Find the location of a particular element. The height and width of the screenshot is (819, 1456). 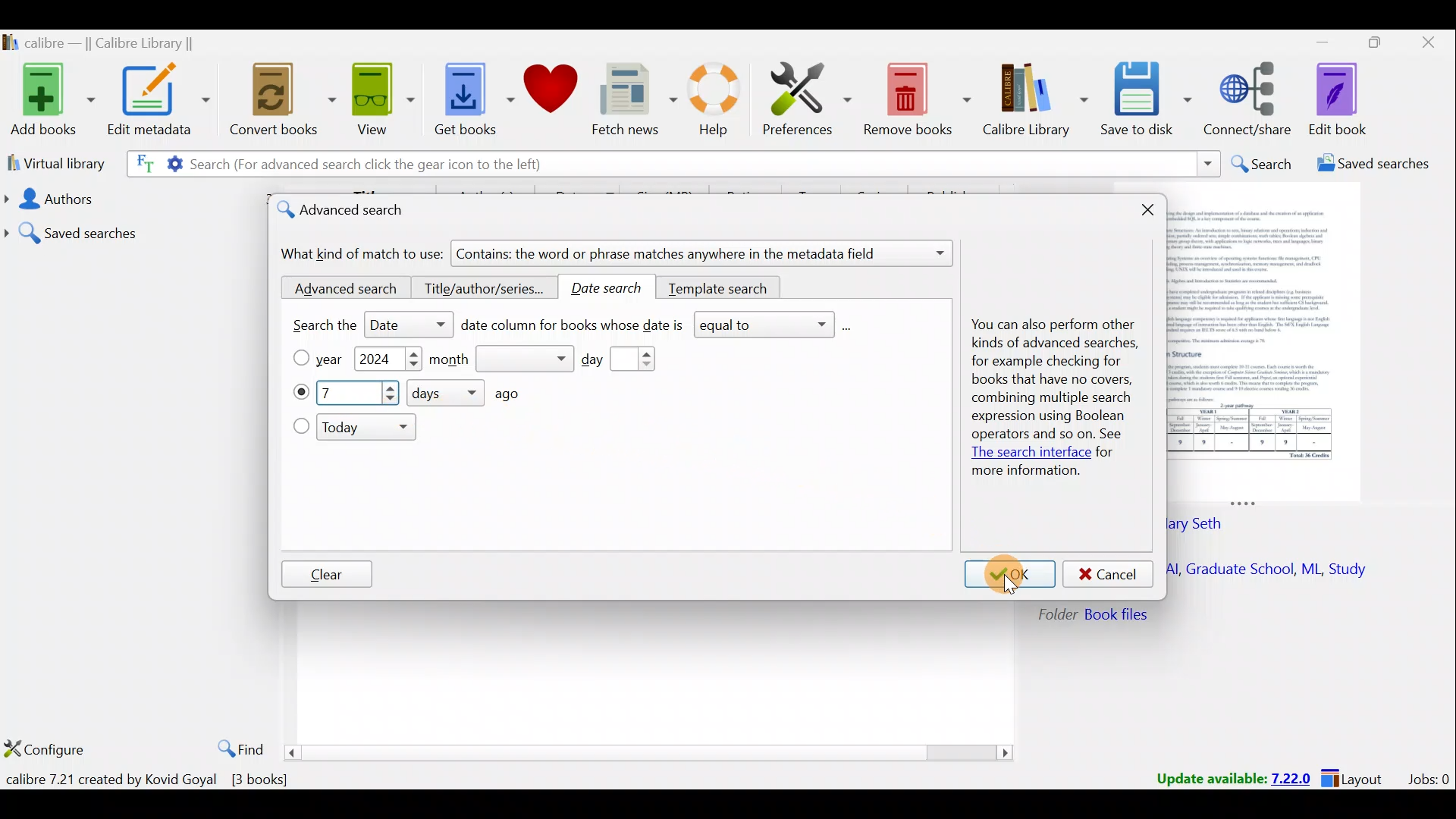

Today checkbox is located at coordinates (300, 428).